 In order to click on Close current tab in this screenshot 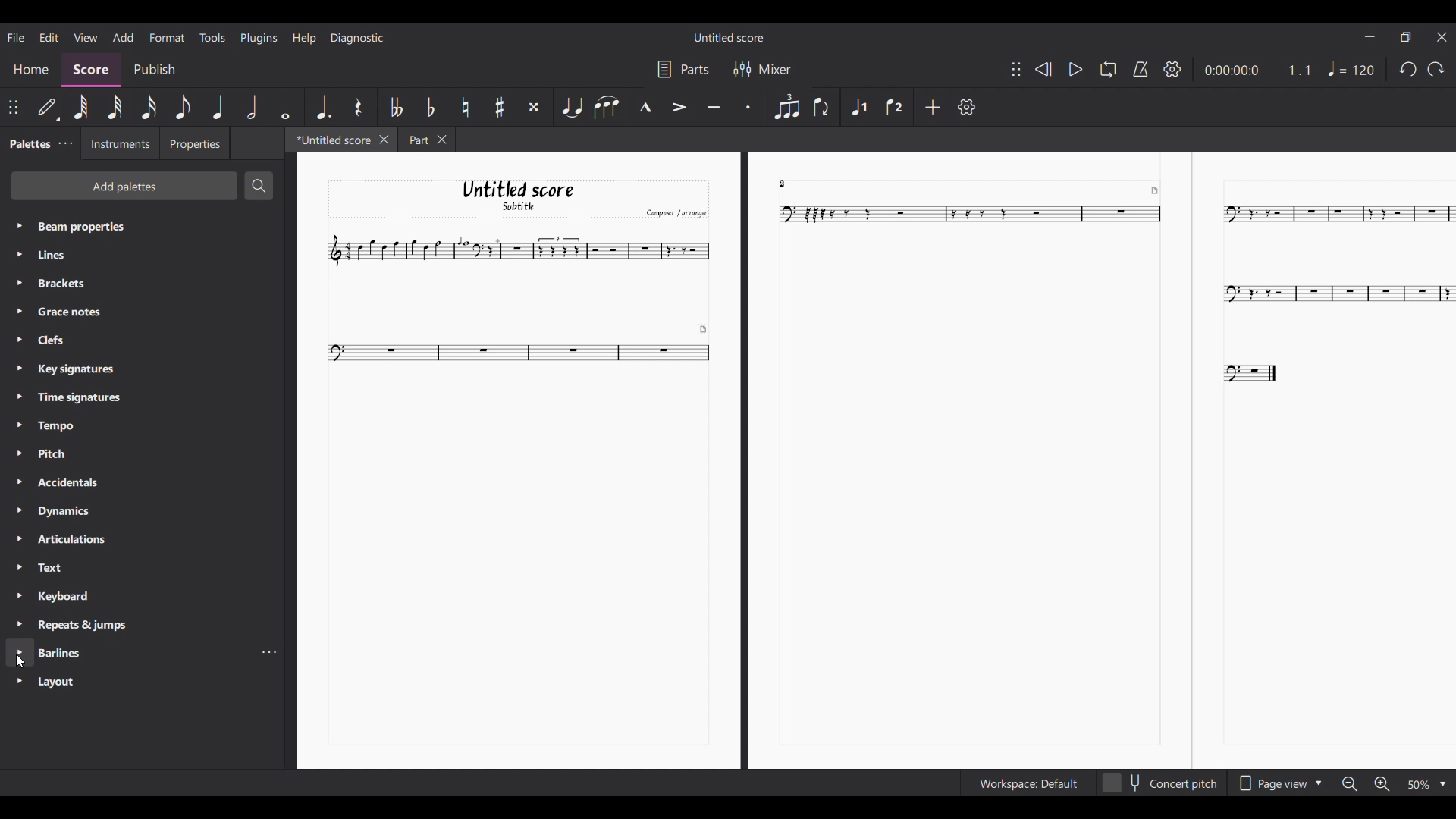, I will do `click(384, 140)`.